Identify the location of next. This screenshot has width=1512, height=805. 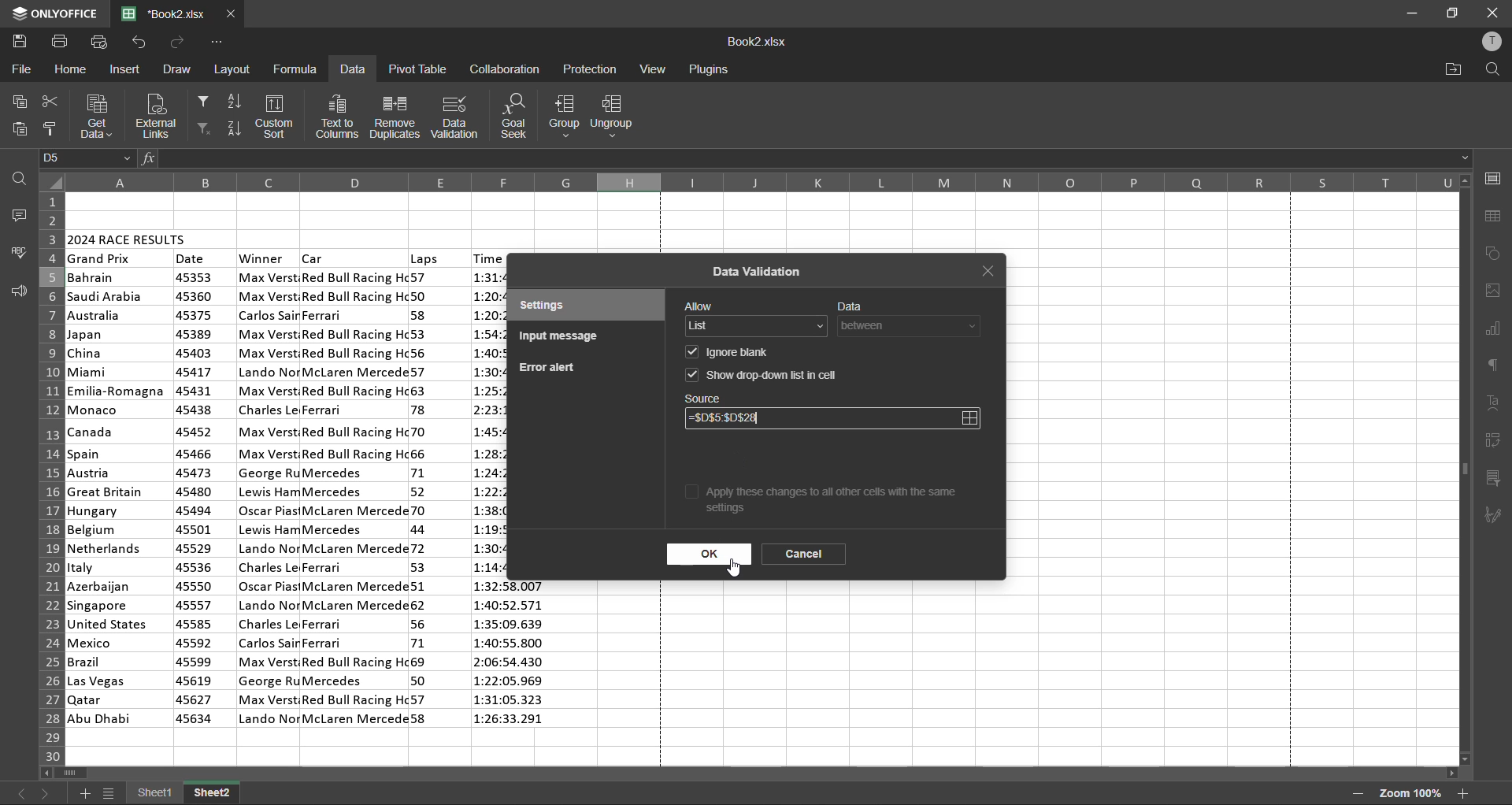
(46, 791).